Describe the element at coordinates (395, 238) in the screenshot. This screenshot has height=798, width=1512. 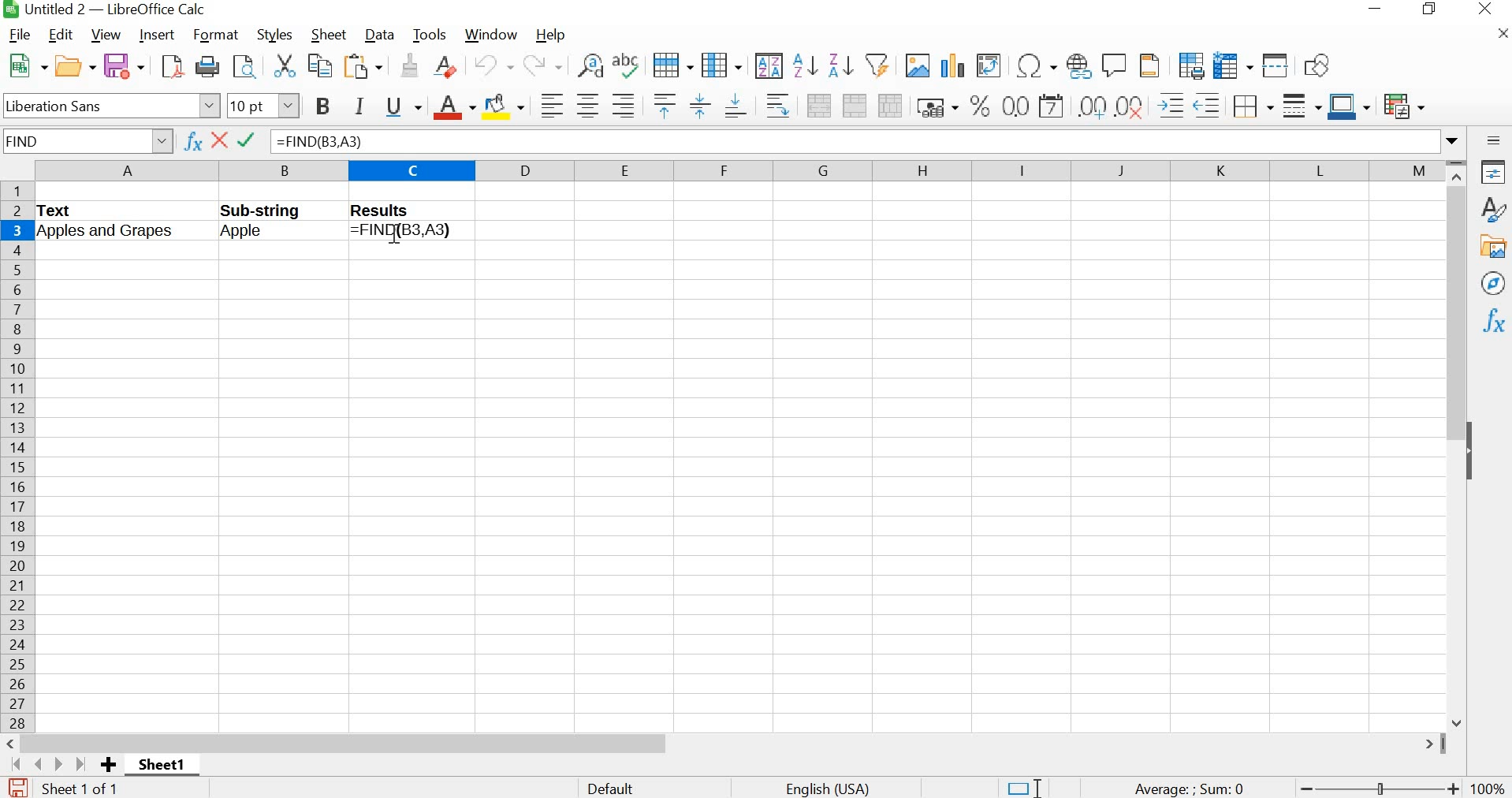
I see `cursor position` at that location.